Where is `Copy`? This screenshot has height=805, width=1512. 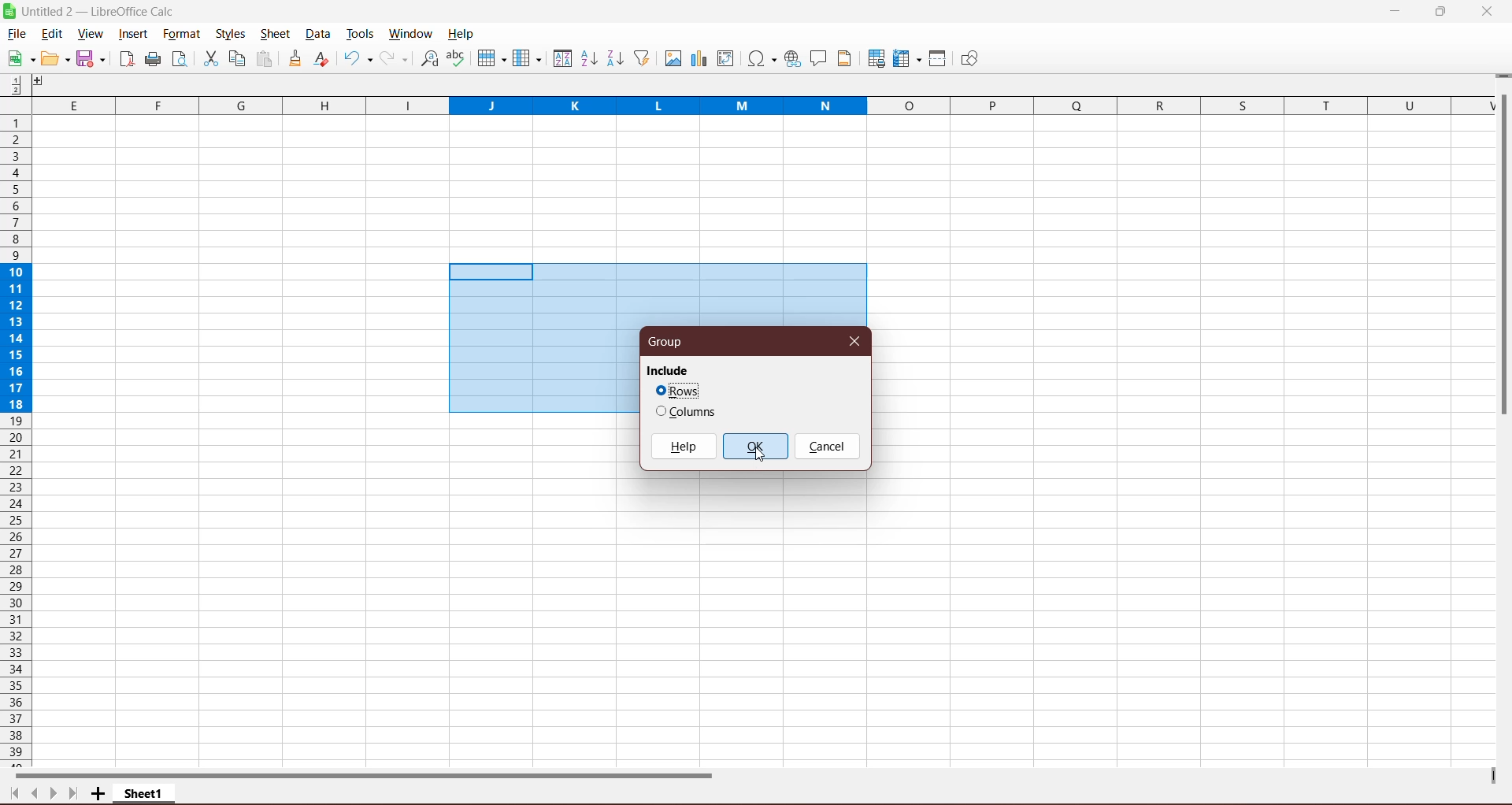 Copy is located at coordinates (237, 58).